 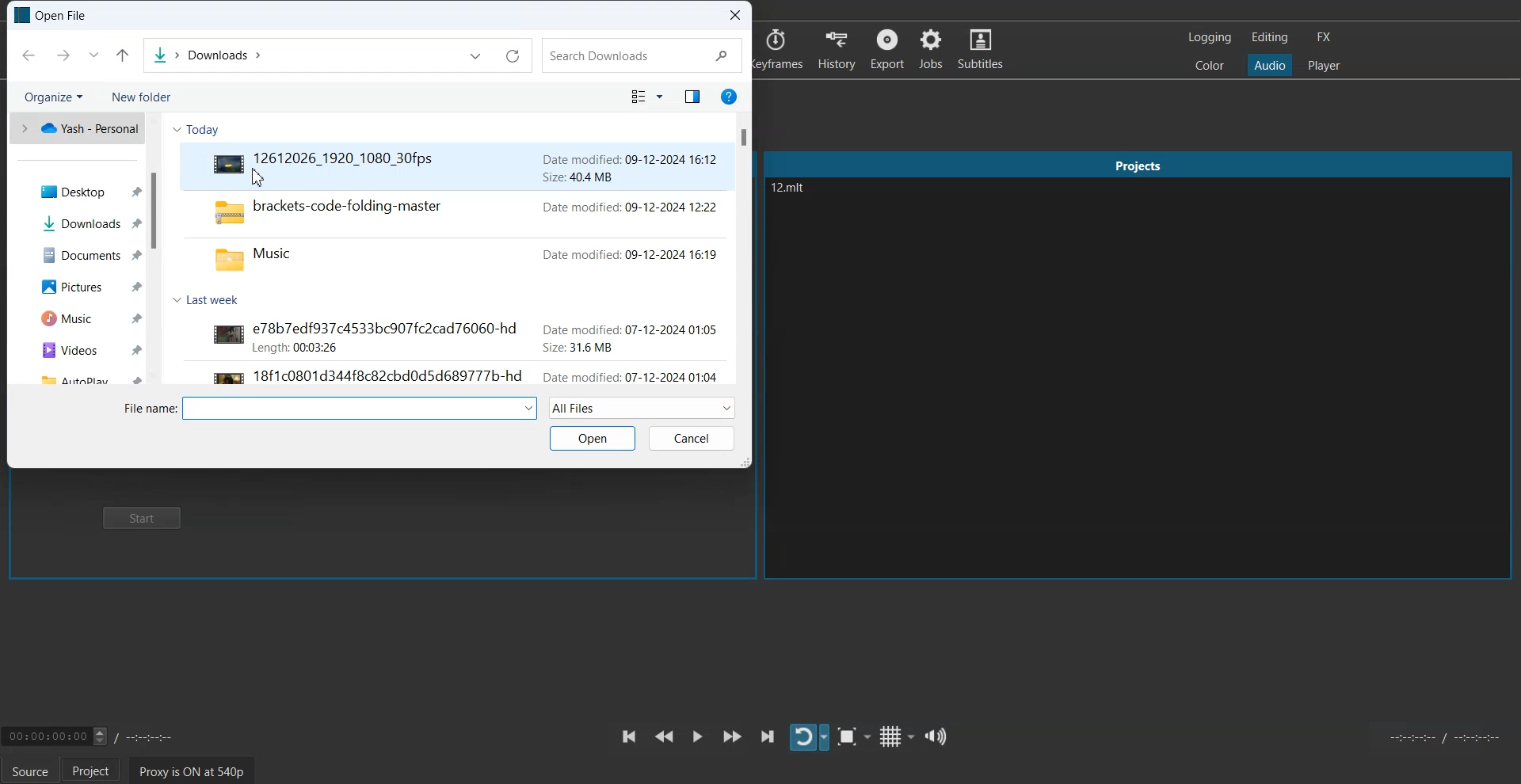 I want to click on Toggle Zoom, so click(x=855, y=737).